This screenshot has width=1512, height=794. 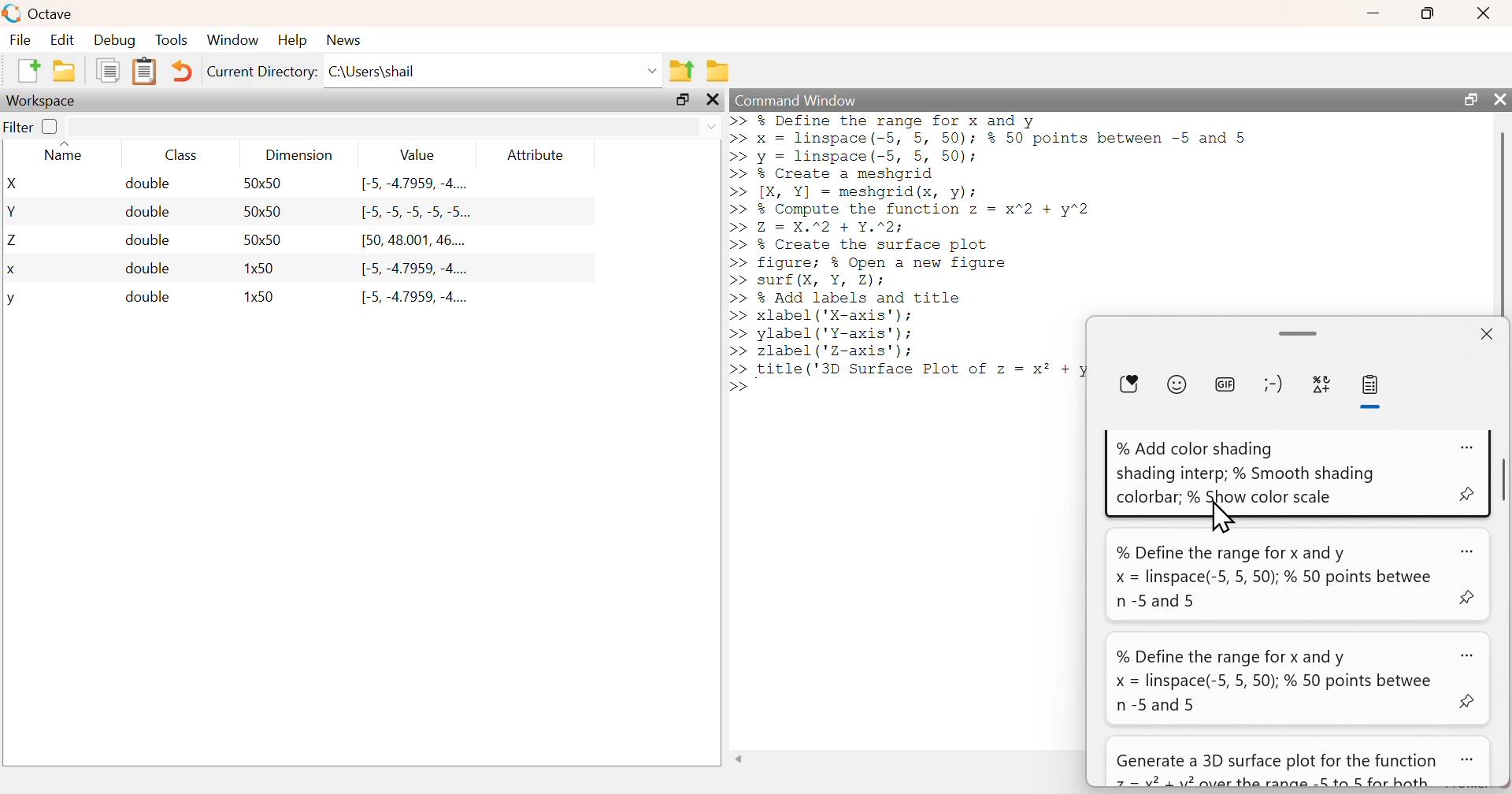 I want to click on scroll left, so click(x=739, y=759).